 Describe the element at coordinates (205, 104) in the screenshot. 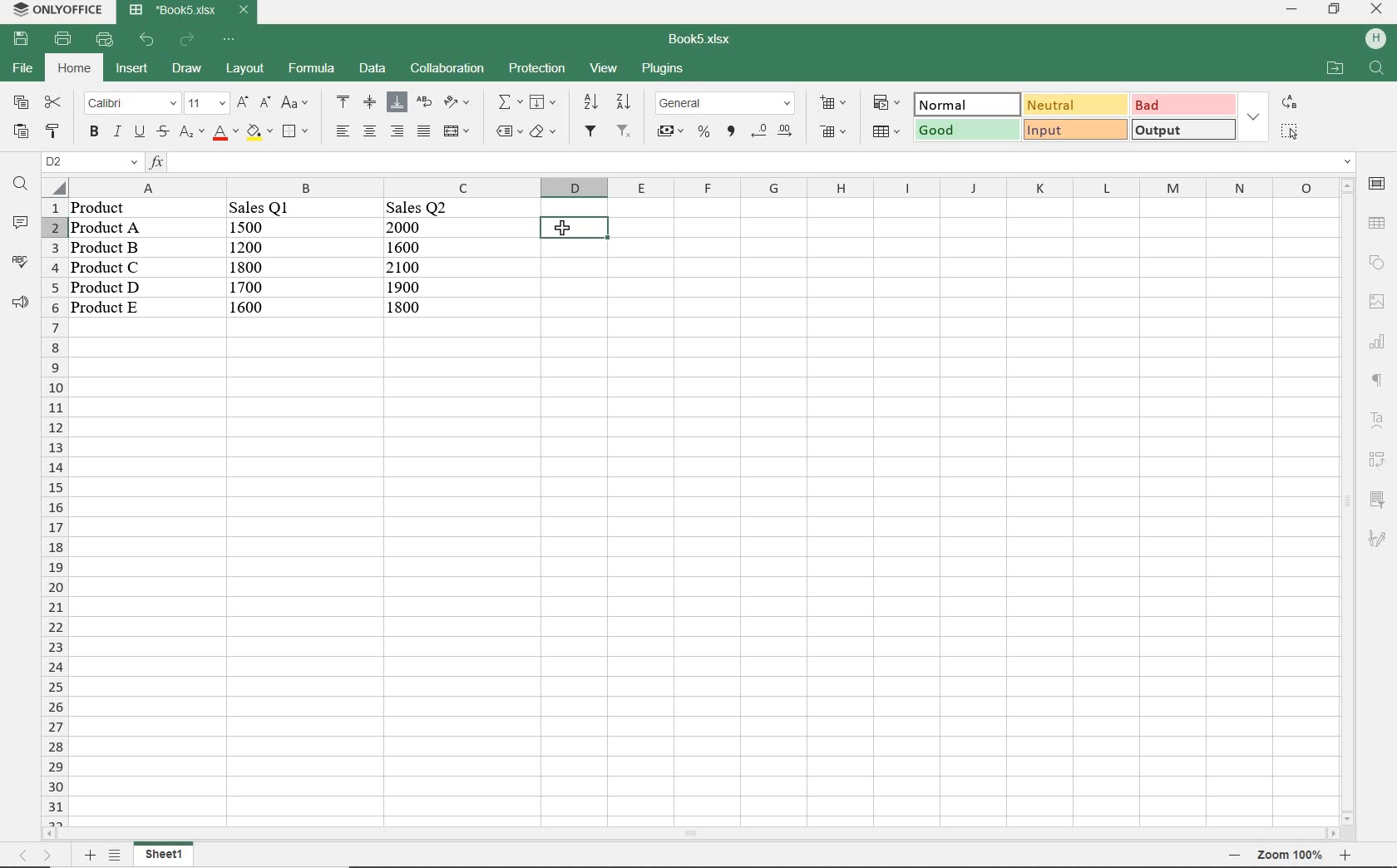

I see `font size` at that location.